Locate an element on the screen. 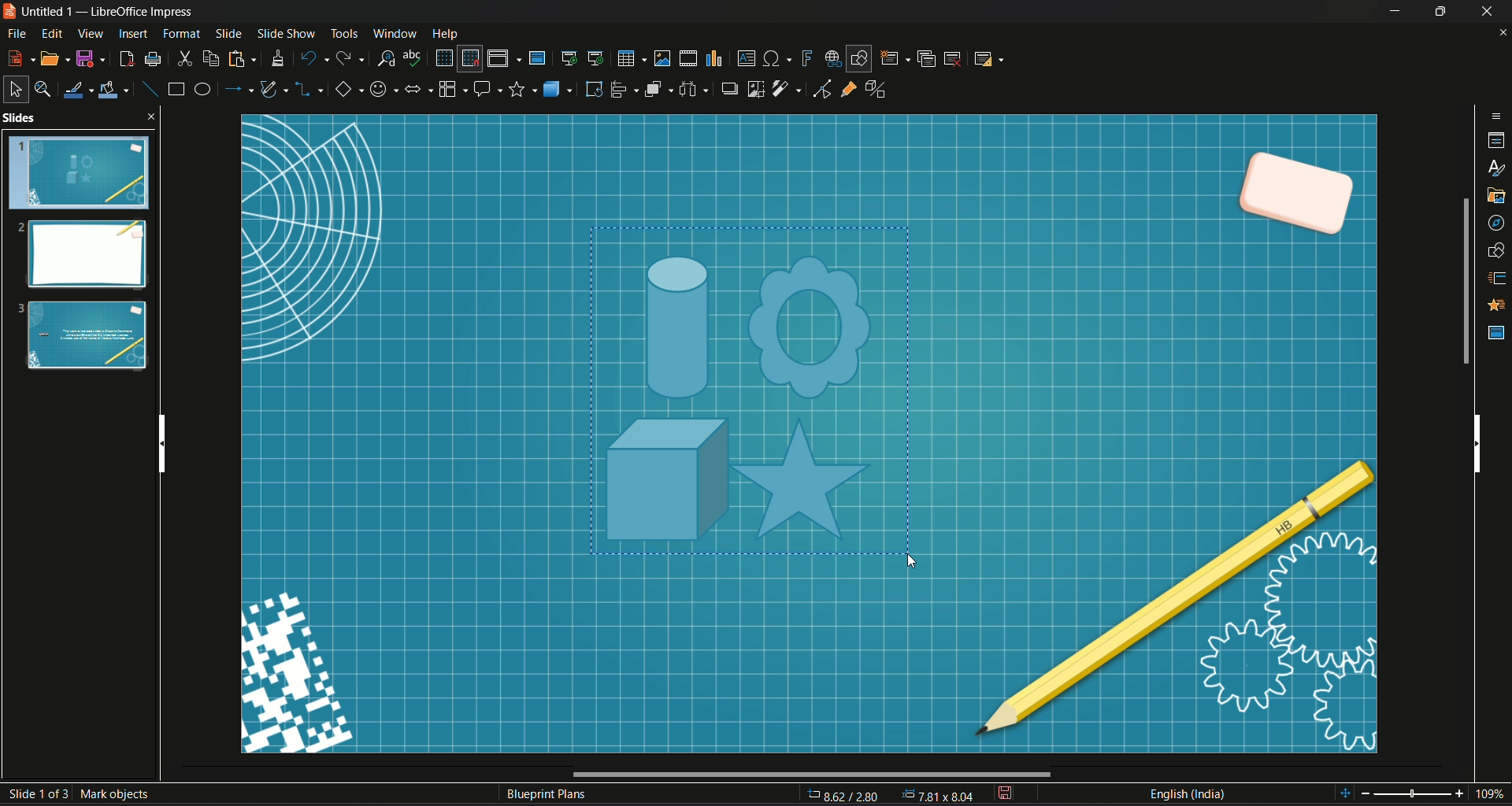 The height and width of the screenshot is (806, 1512). copy  is located at coordinates (211, 59).